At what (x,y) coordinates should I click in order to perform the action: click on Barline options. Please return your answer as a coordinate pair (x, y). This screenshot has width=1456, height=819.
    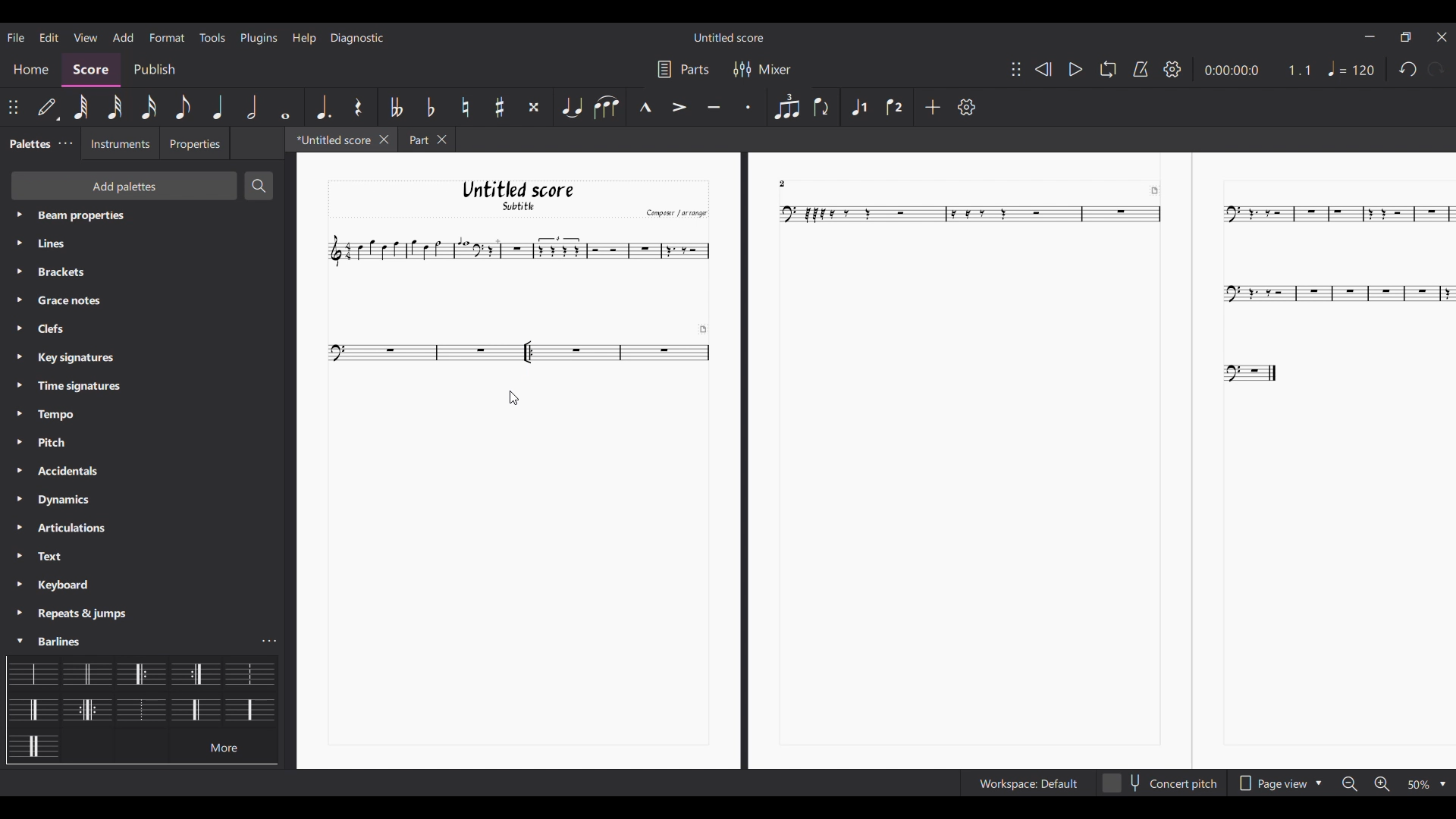
    Looking at the image, I should click on (193, 705).